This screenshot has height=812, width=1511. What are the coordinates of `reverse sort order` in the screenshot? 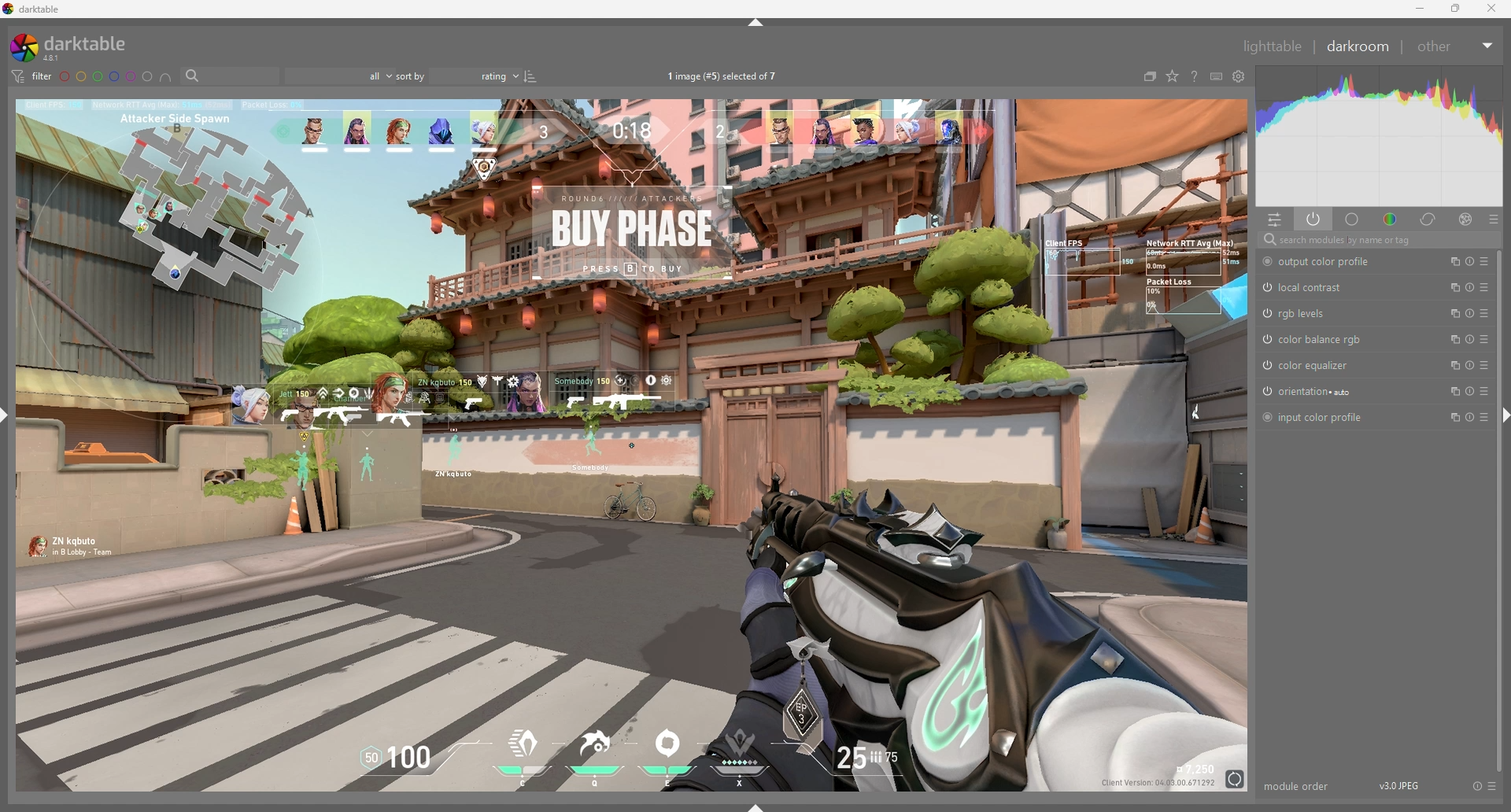 It's located at (532, 77).